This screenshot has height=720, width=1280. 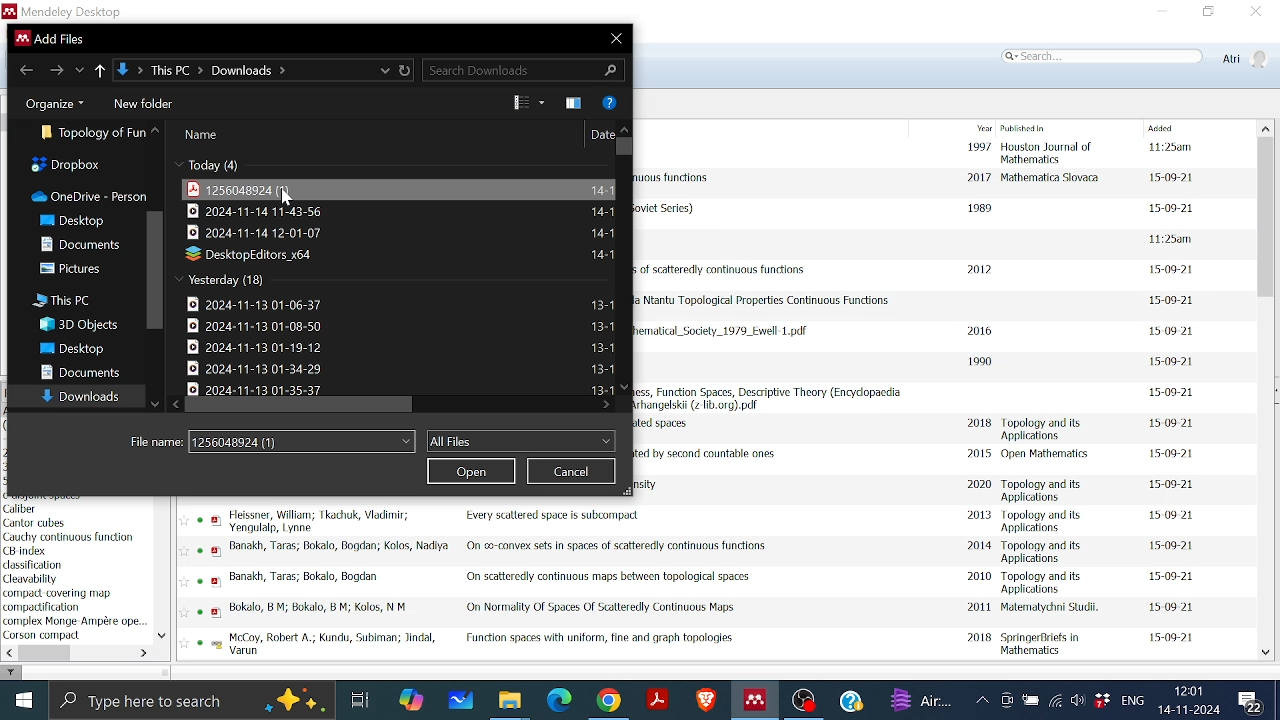 I want to click on Mendeley logo, so click(x=71, y=12).